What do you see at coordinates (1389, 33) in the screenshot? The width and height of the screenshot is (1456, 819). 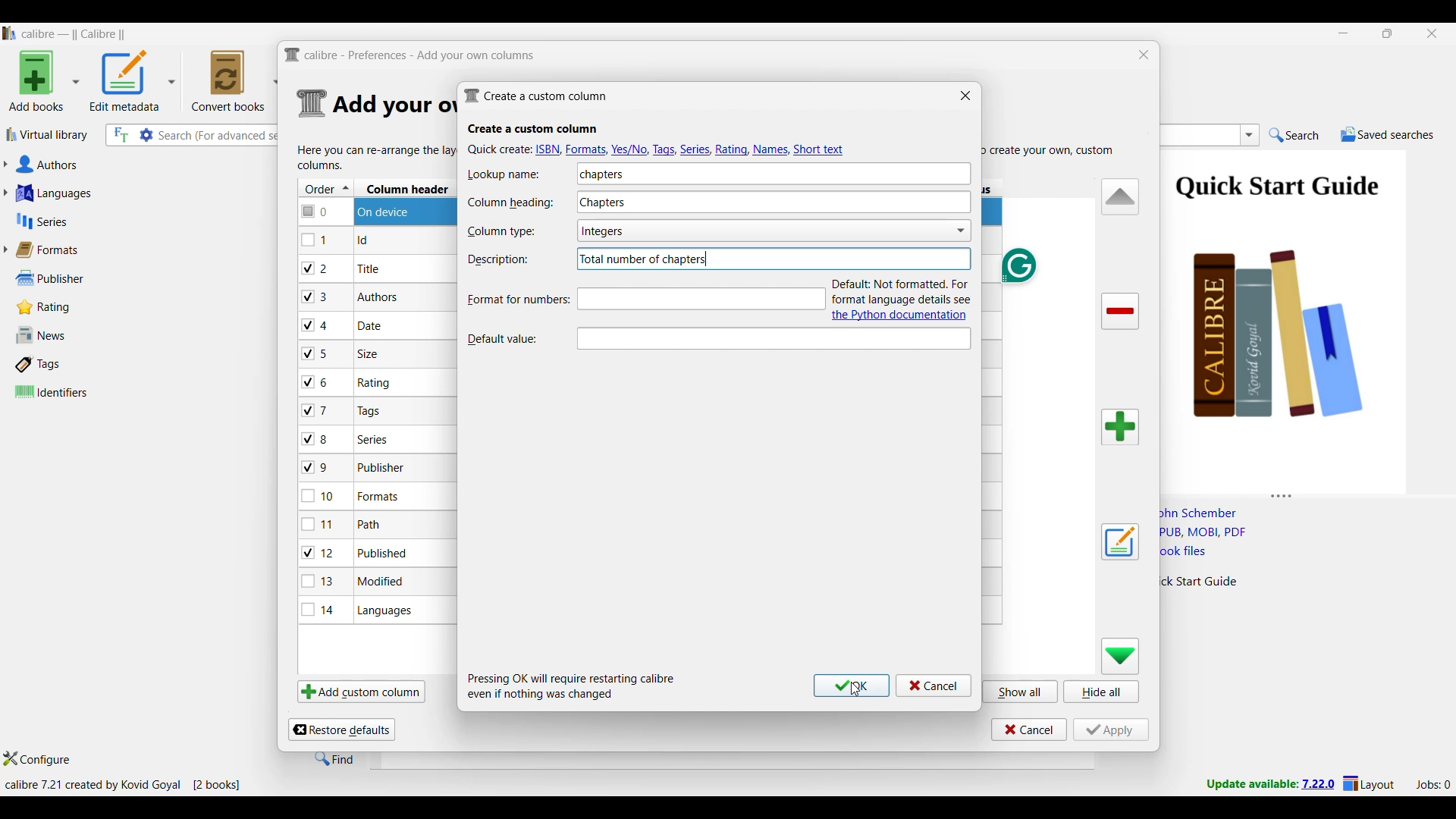 I see `Show interface in a smaller tab` at bounding box center [1389, 33].